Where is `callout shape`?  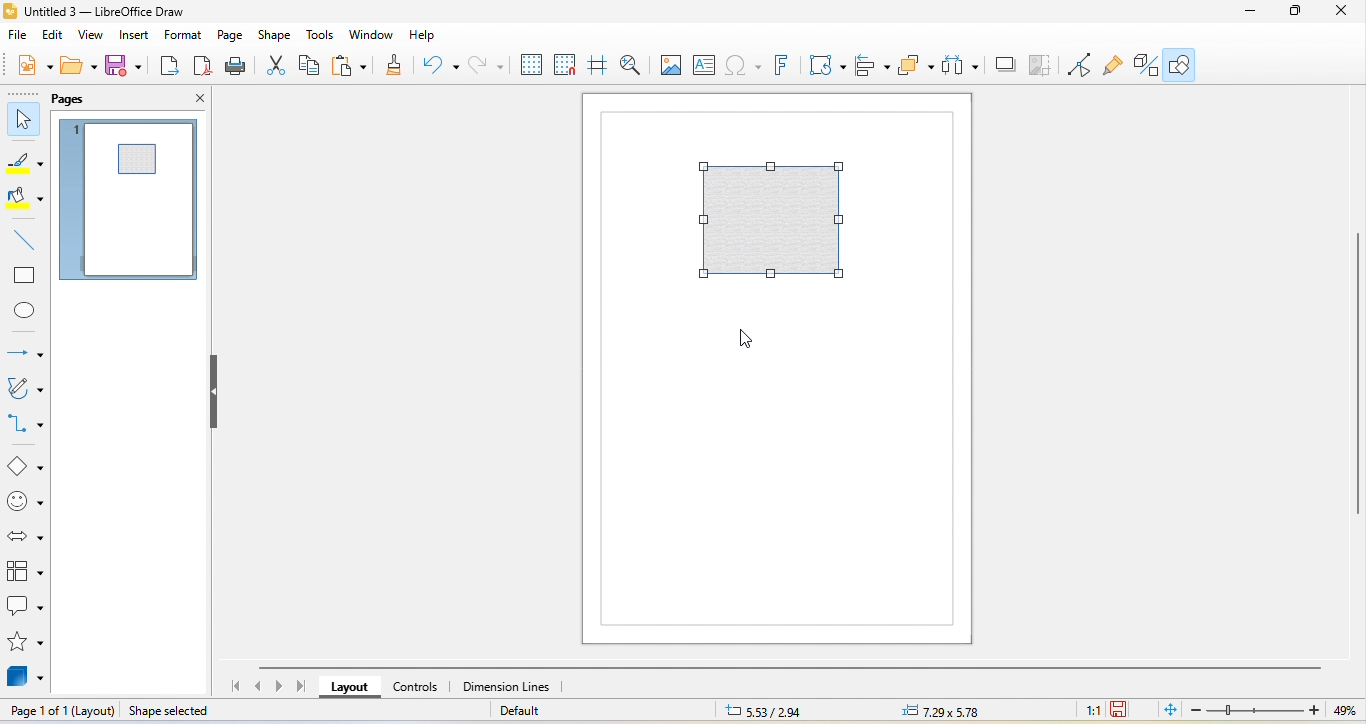
callout shape is located at coordinates (24, 608).